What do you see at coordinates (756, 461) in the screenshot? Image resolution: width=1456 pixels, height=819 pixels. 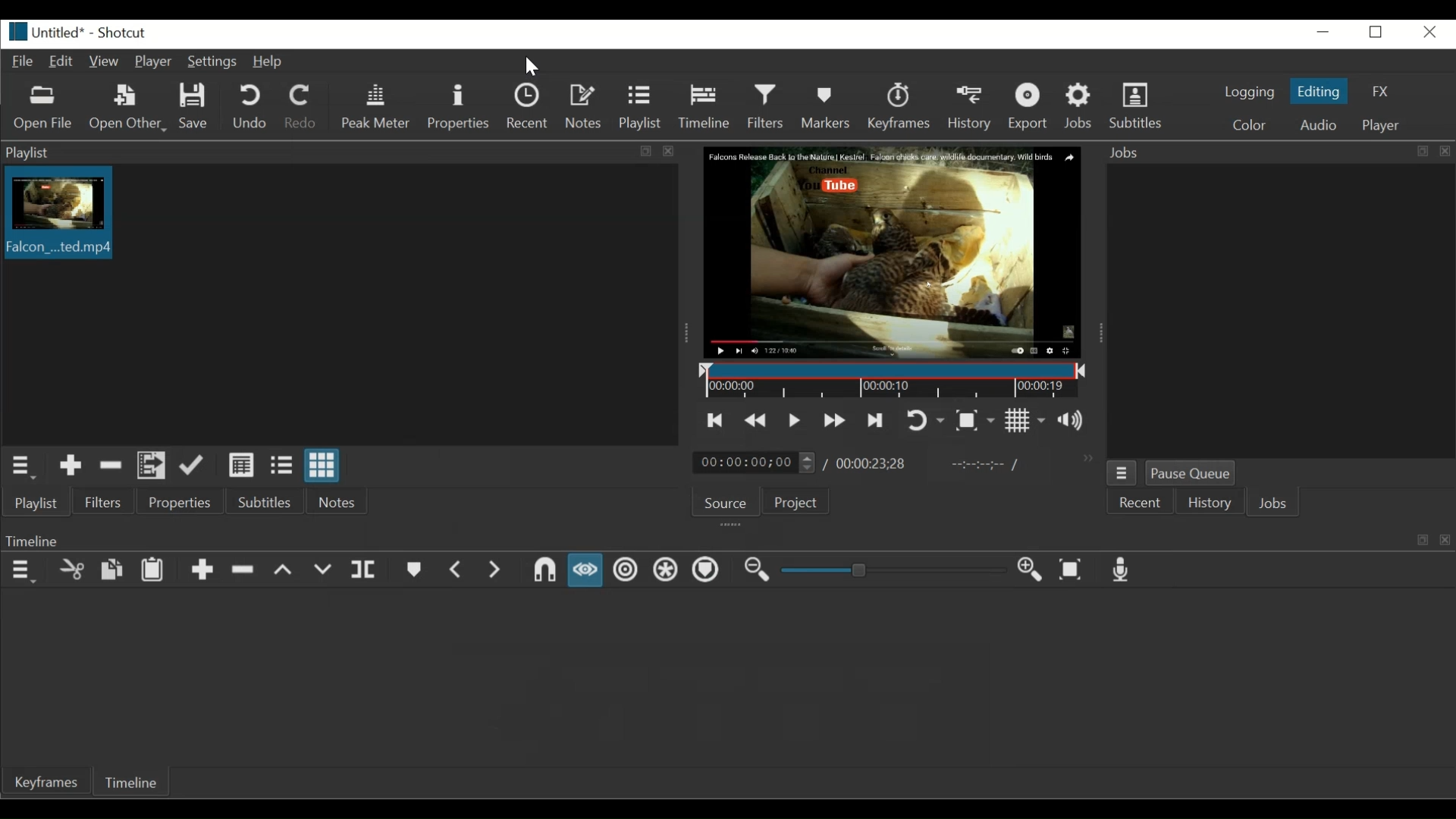 I see `00:00:00:00(Current Position)` at bounding box center [756, 461].